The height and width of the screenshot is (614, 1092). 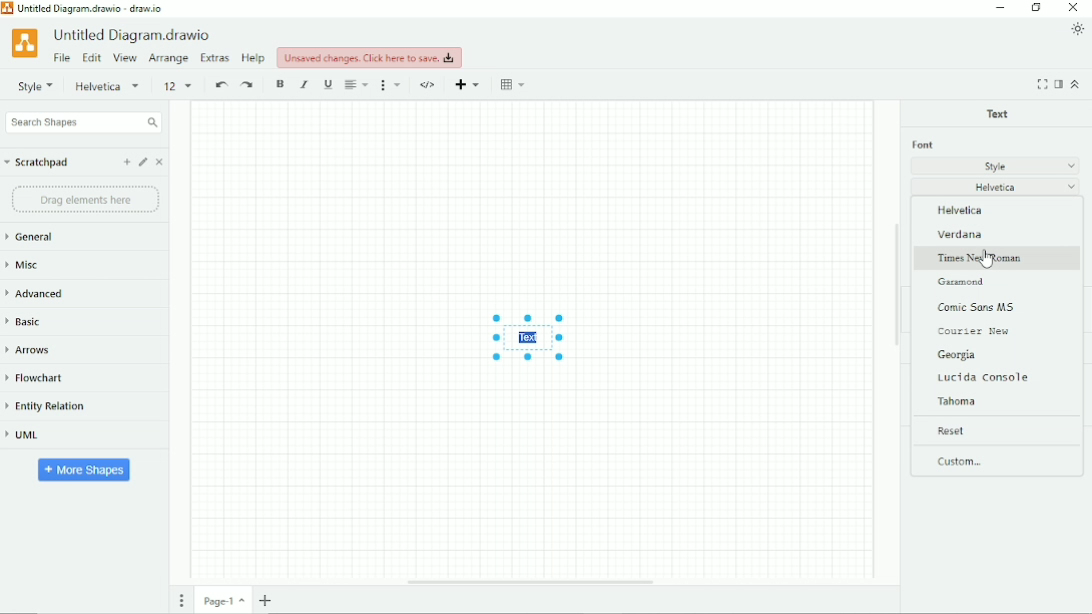 I want to click on Collapse/Expand, so click(x=1077, y=85).